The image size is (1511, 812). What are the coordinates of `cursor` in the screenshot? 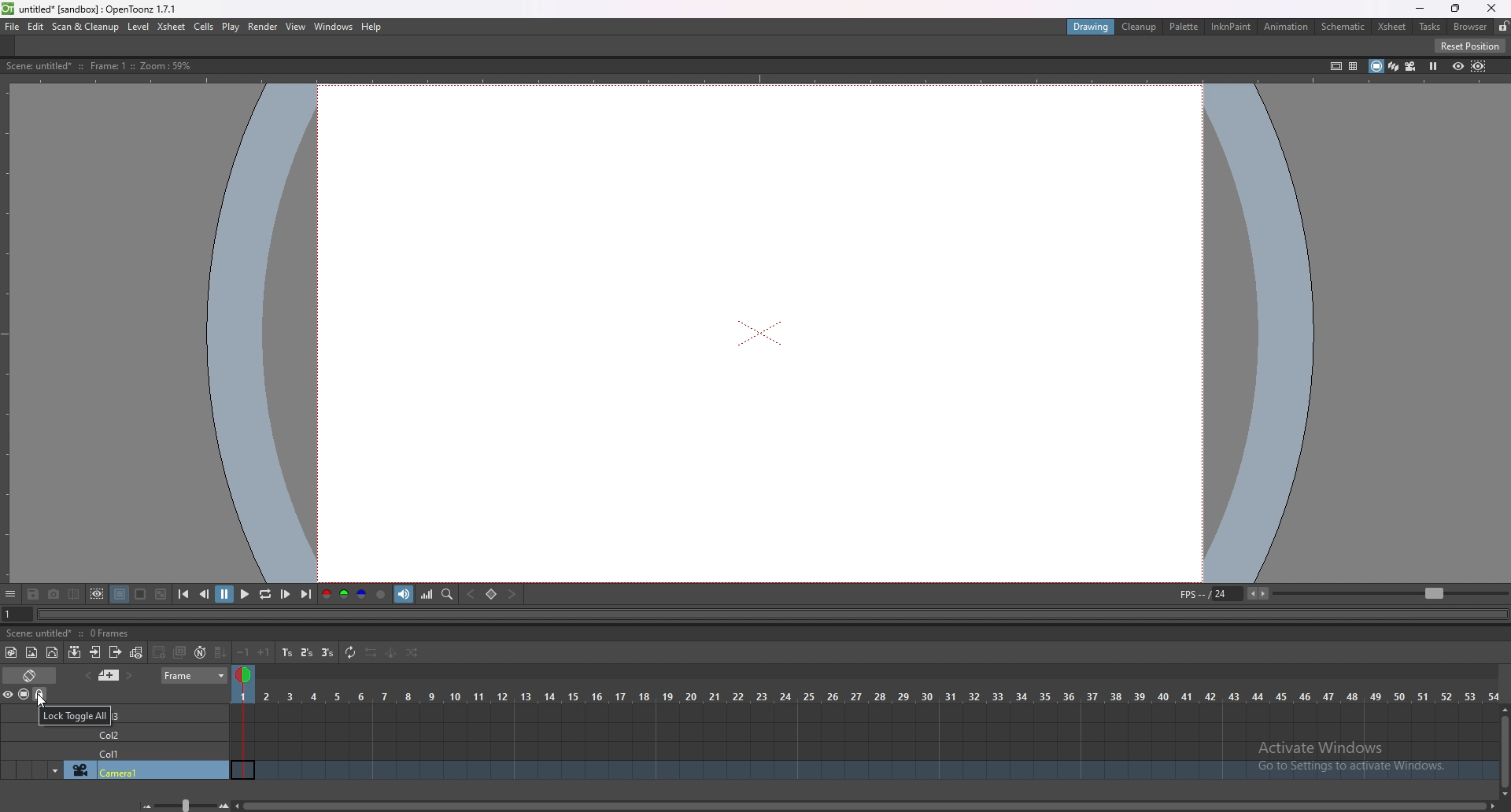 It's located at (39, 699).